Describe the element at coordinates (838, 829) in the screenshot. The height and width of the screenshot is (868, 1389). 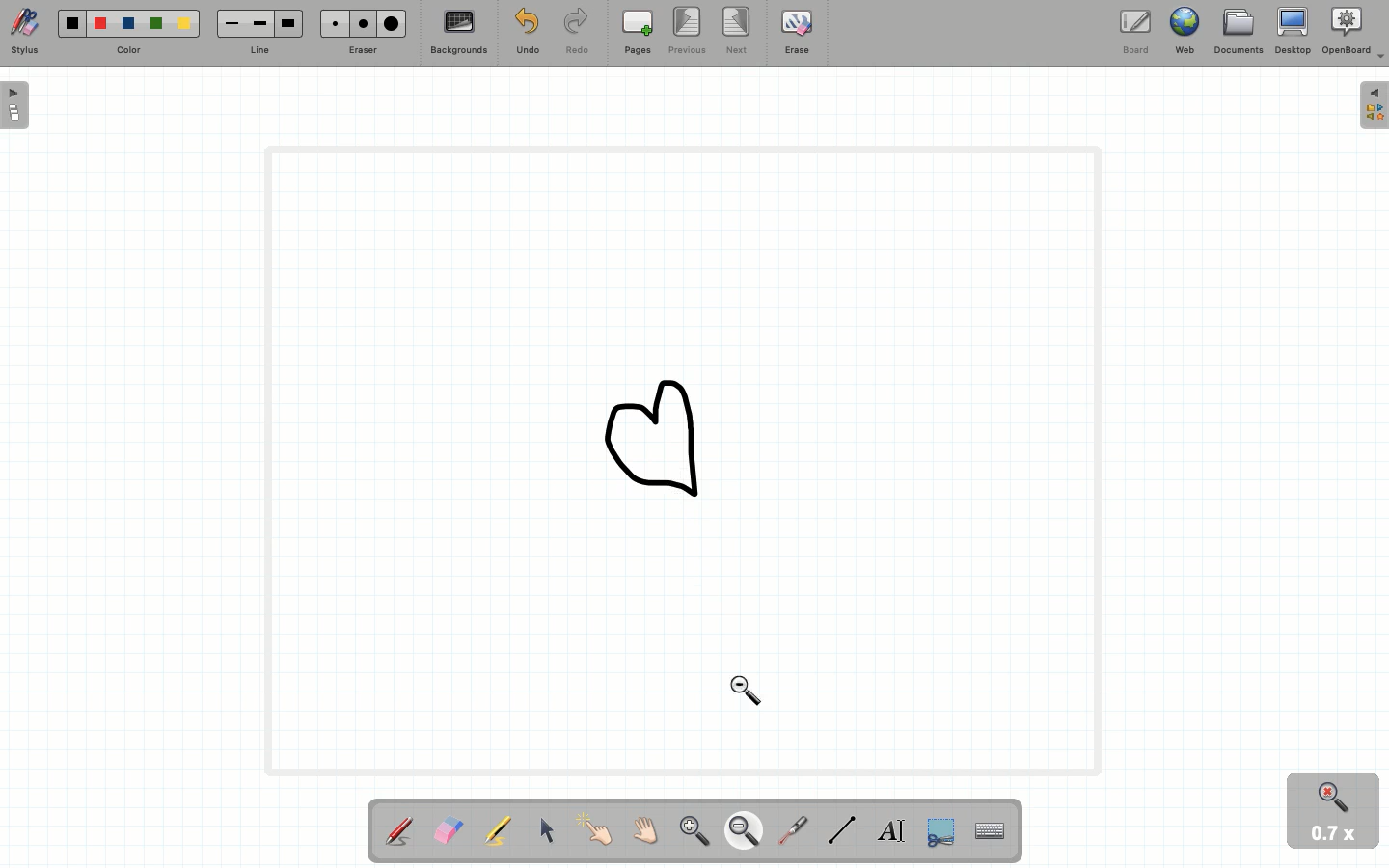
I see `Line` at that location.